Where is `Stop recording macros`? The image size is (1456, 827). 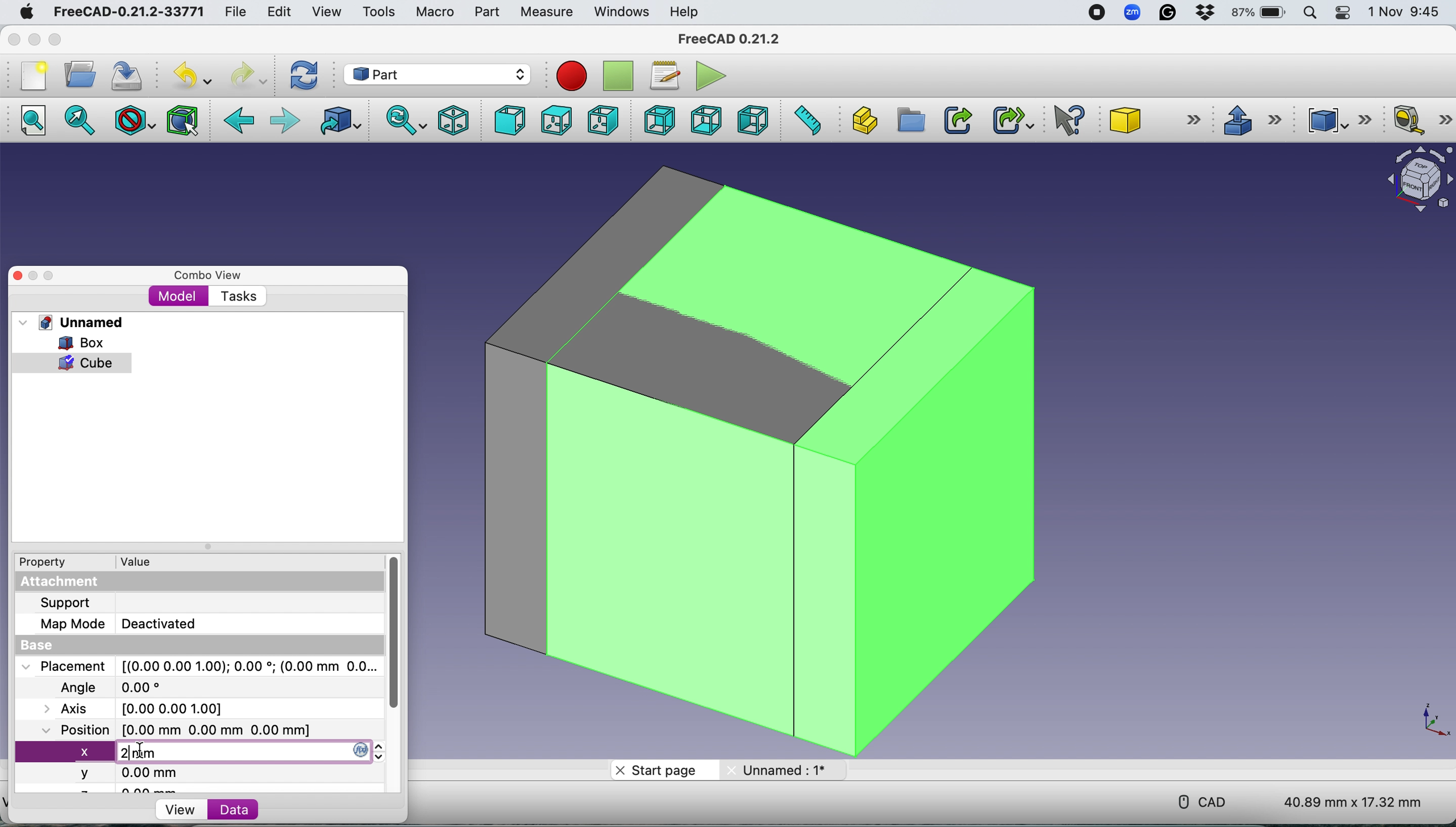
Stop recording macros is located at coordinates (620, 76).